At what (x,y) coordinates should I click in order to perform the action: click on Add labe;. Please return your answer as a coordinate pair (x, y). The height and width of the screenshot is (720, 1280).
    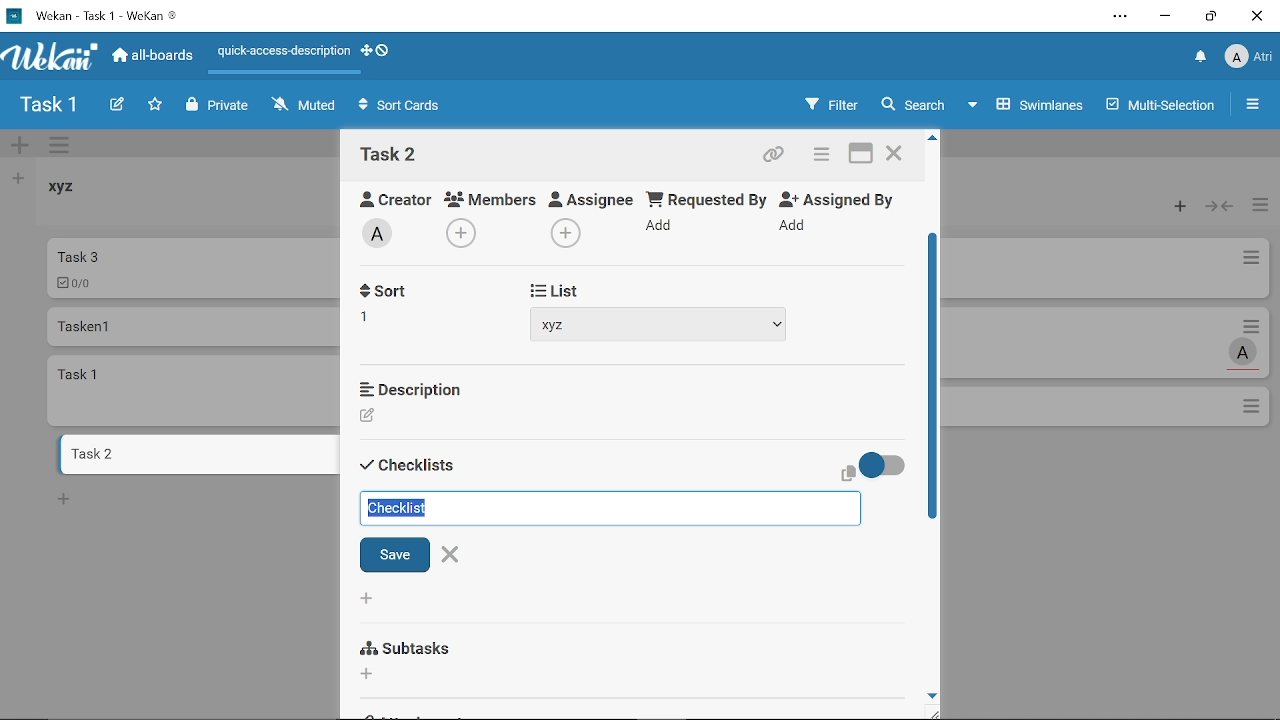
    Looking at the image, I should click on (384, 236).